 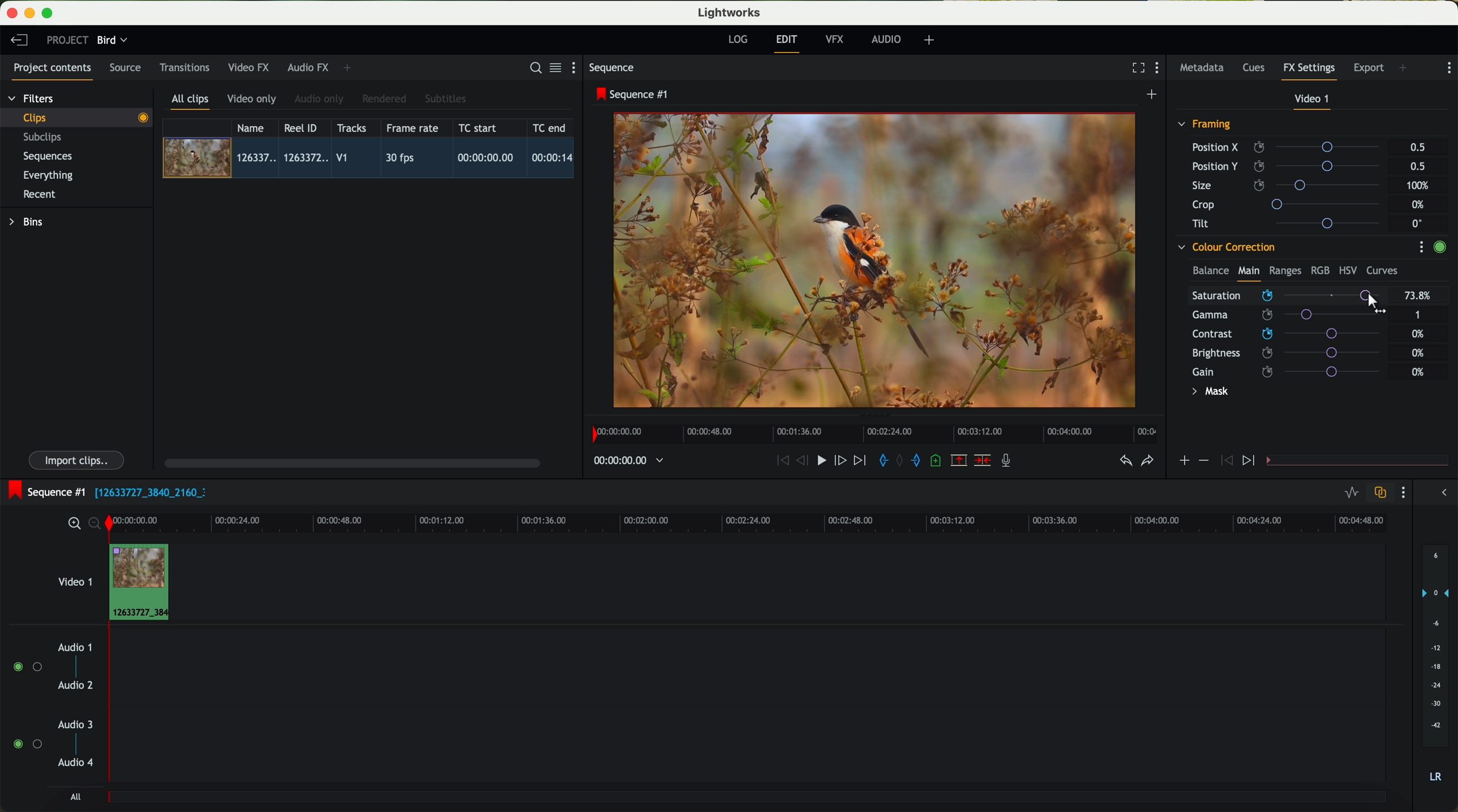 I want to click on add 'in' mark, so click(x=880, y=462).